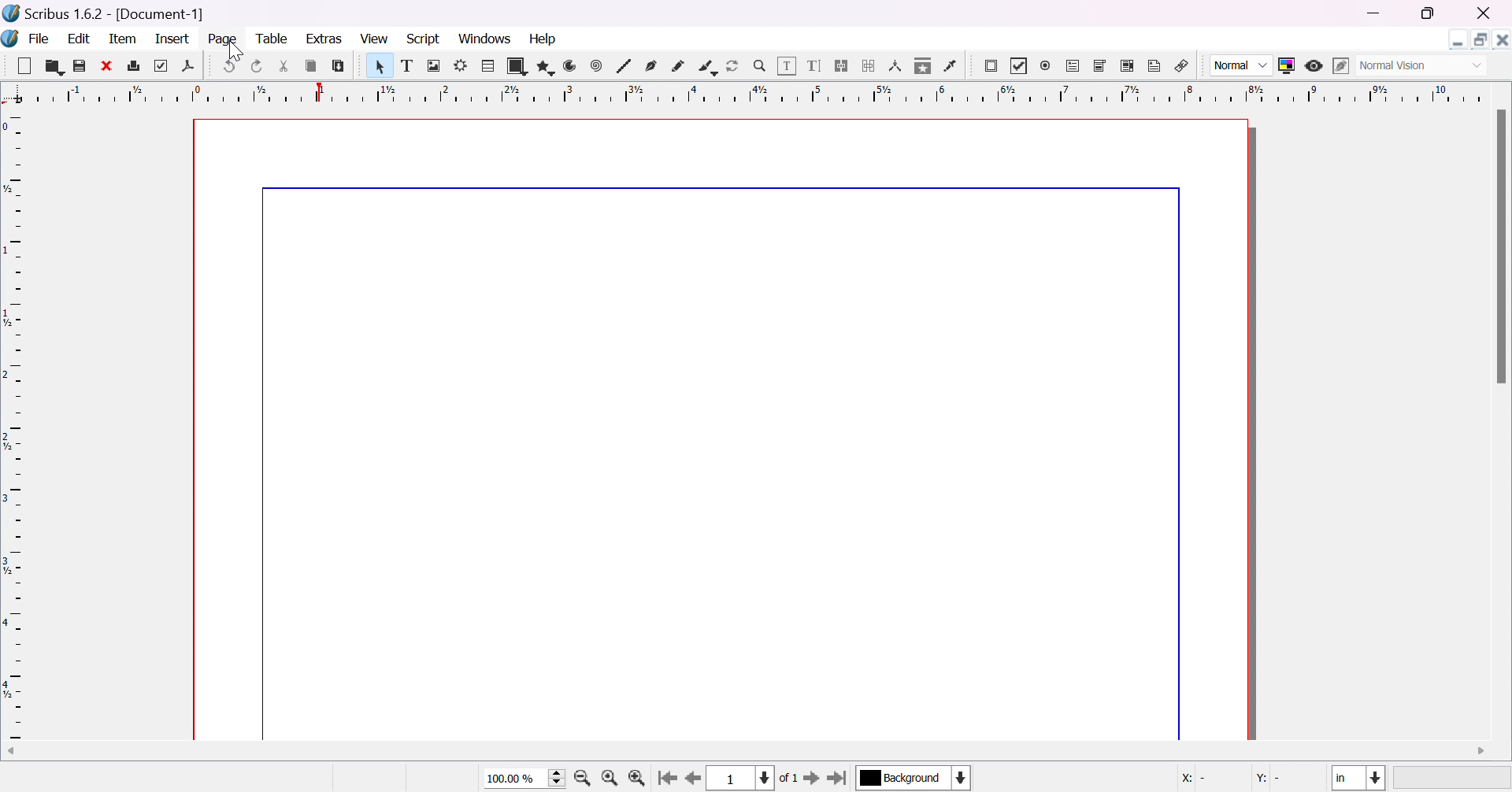 This screenshot has width=1512, height=792. I want to click on render frame, so click(464, 65).